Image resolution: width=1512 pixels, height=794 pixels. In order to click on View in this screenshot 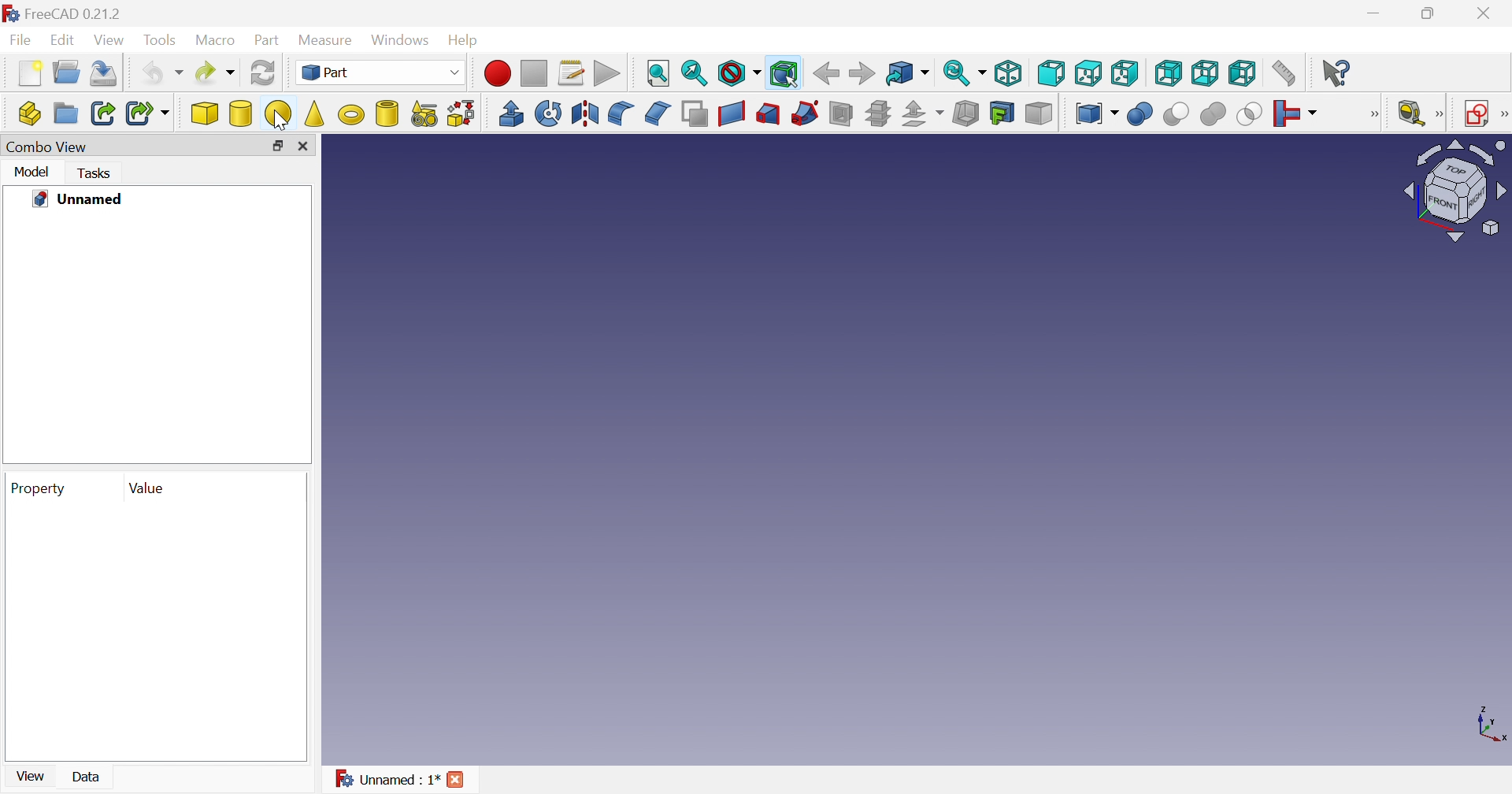, I will do `click(31, 775)`.